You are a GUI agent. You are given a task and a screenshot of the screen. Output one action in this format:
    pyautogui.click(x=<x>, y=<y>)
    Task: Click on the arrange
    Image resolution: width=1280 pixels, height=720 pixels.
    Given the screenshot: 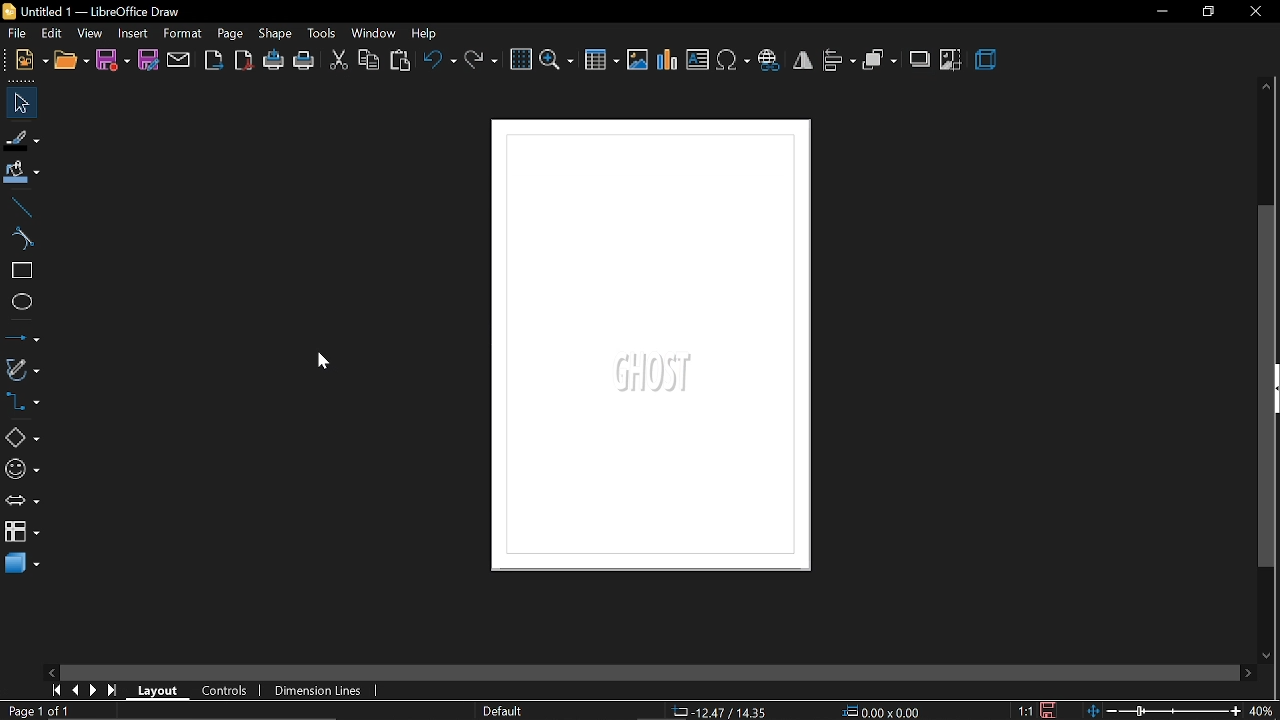 What is the action you would take?
    pyautogui.click(x=880, y=61)
    